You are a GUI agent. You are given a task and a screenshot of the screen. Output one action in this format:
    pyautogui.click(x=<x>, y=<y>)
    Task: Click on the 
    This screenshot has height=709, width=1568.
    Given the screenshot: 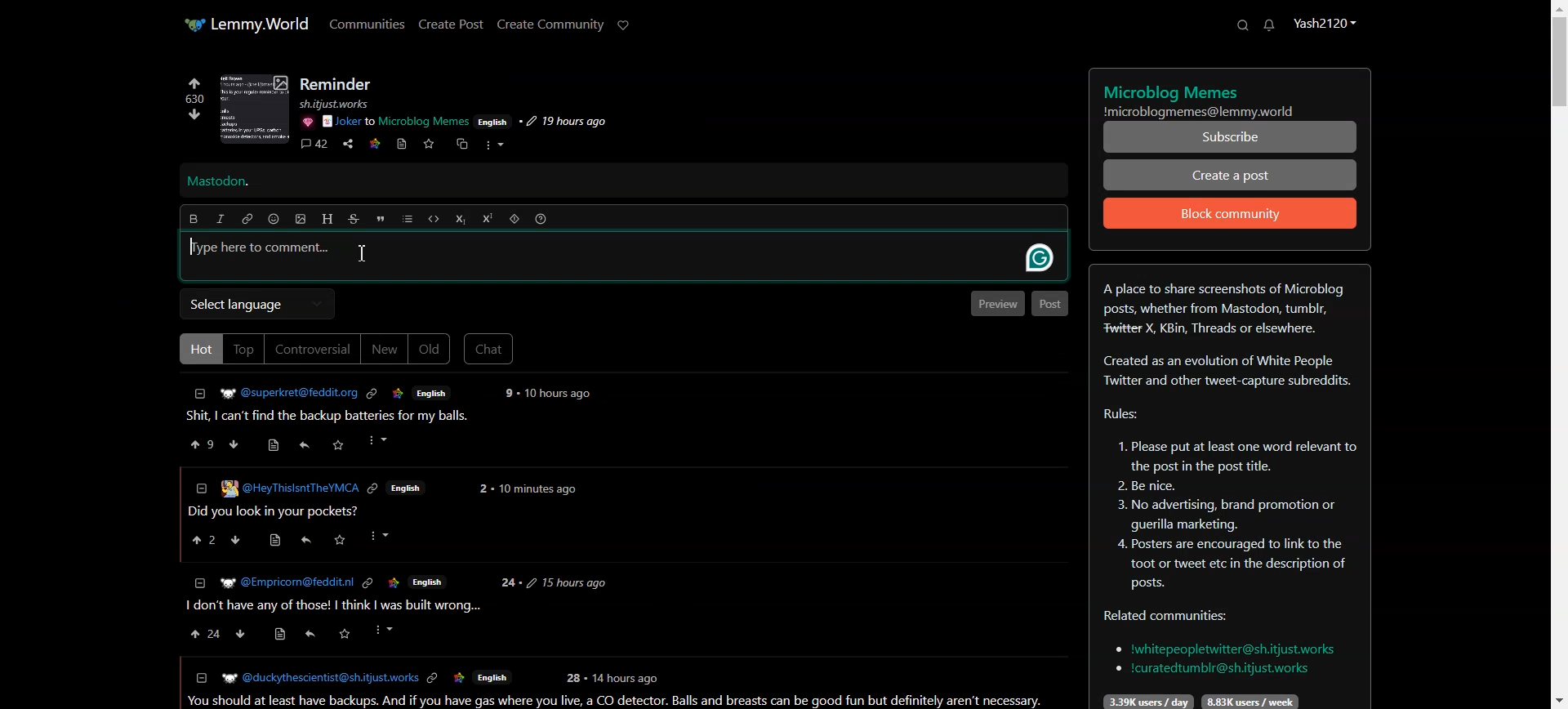 What is the action you would take?
    pyautogui.click(x=396, y=122)
    